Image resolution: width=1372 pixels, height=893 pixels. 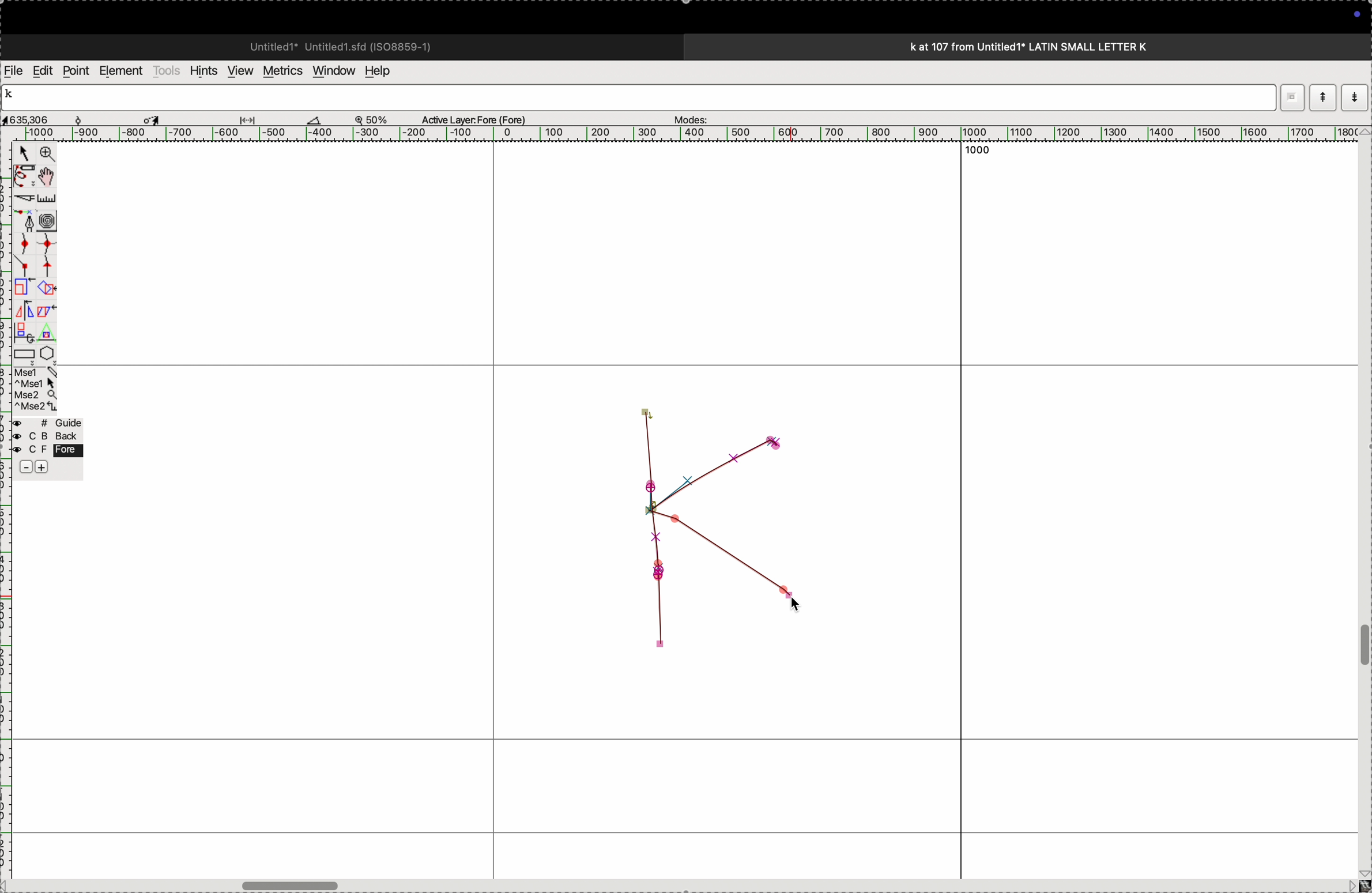 I want to click on tools, so click(x=167, y=70).